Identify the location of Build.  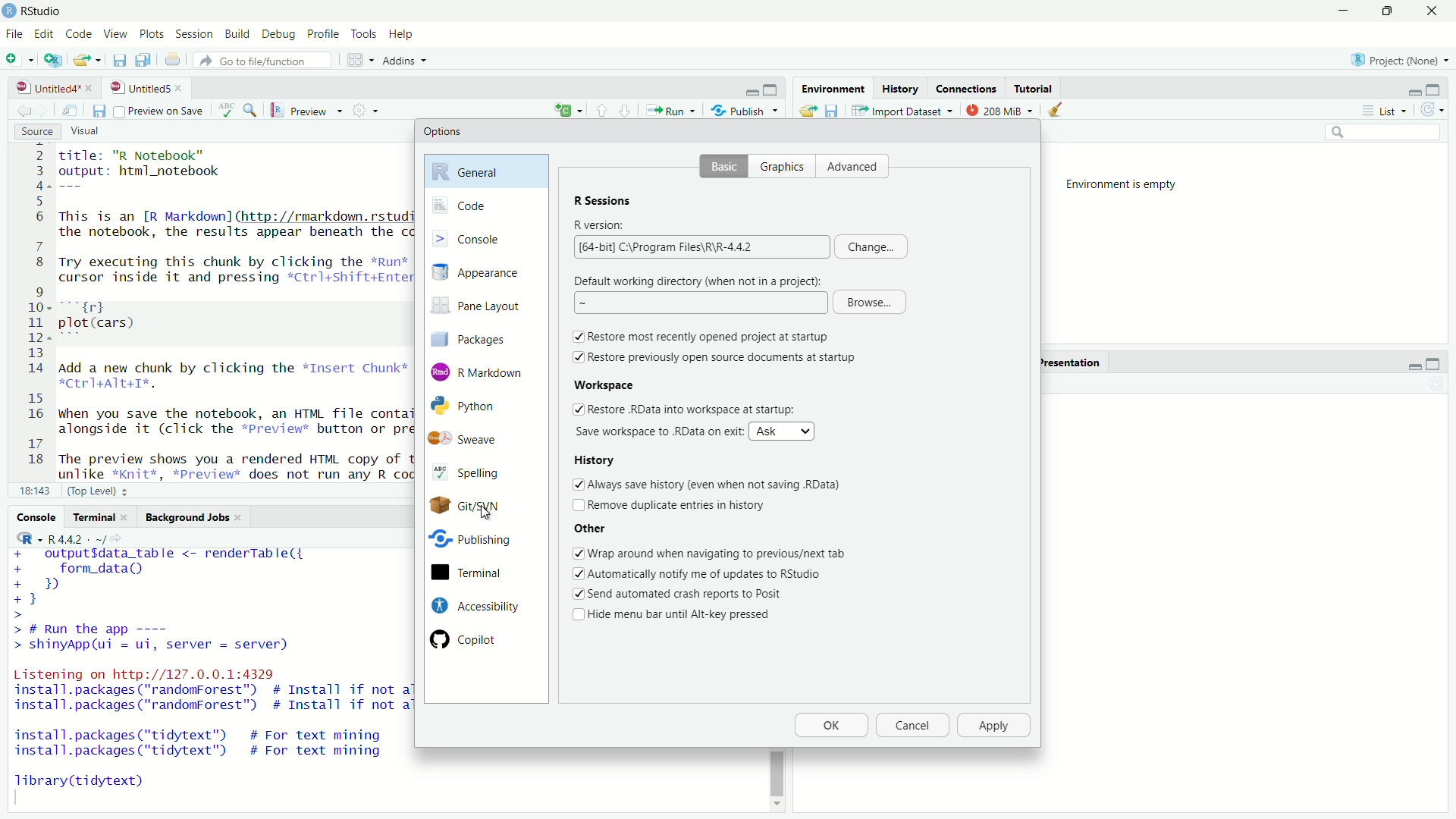
(239, 35).